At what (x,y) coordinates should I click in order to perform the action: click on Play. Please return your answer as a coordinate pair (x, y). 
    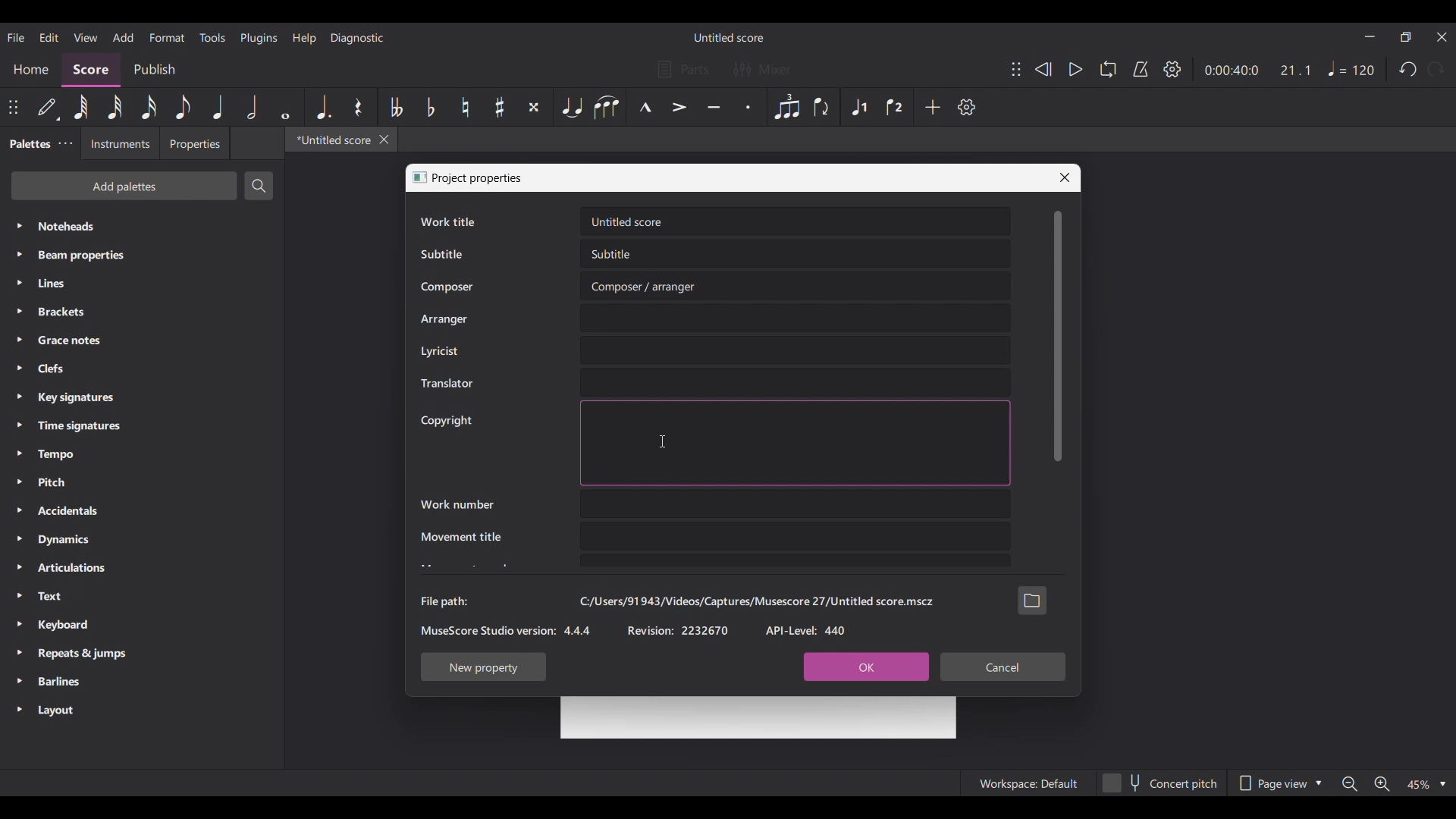
    Looking at the image, I should click on (1077, 69).